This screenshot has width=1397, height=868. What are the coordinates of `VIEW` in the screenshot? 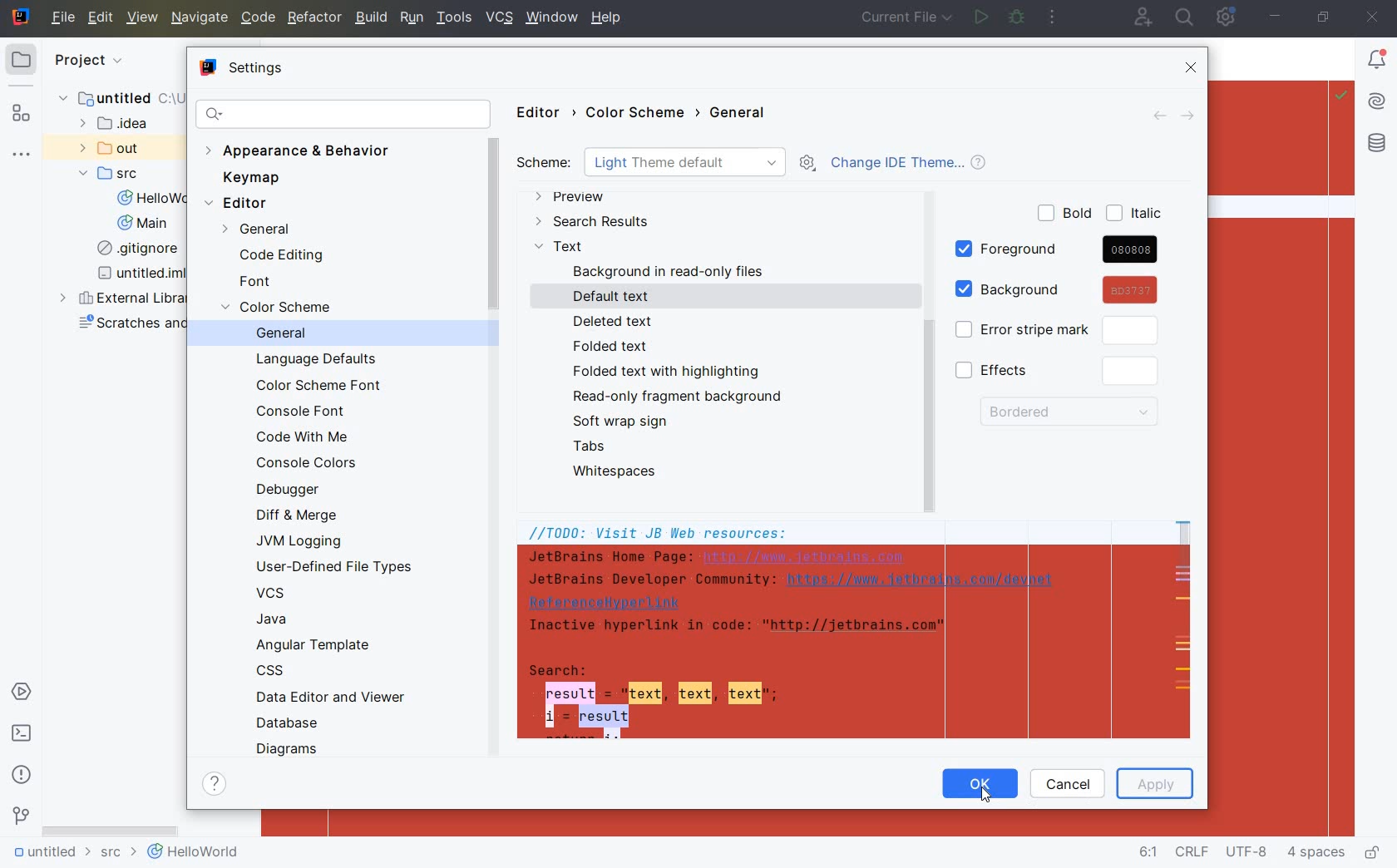 It's located at (143, 18).